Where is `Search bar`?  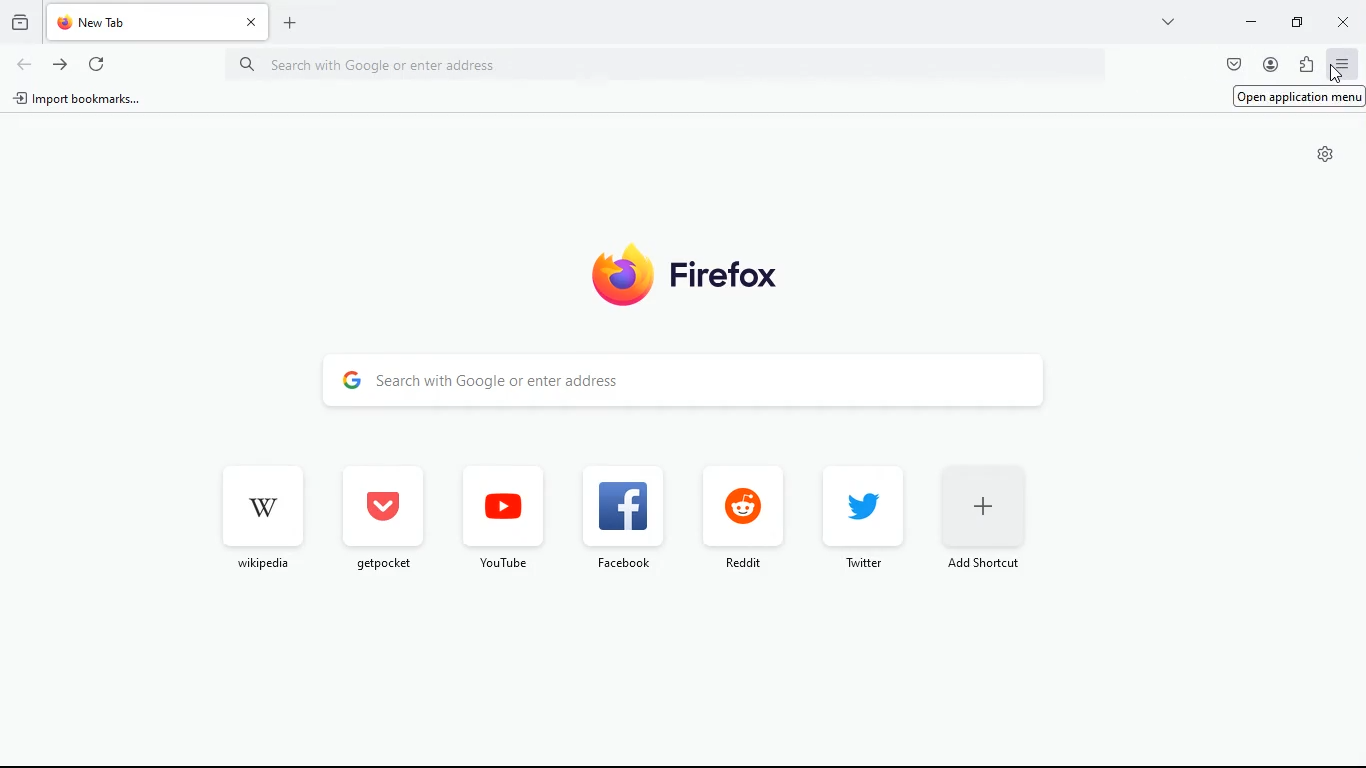
Search bar is located at coordinates (678, 66).